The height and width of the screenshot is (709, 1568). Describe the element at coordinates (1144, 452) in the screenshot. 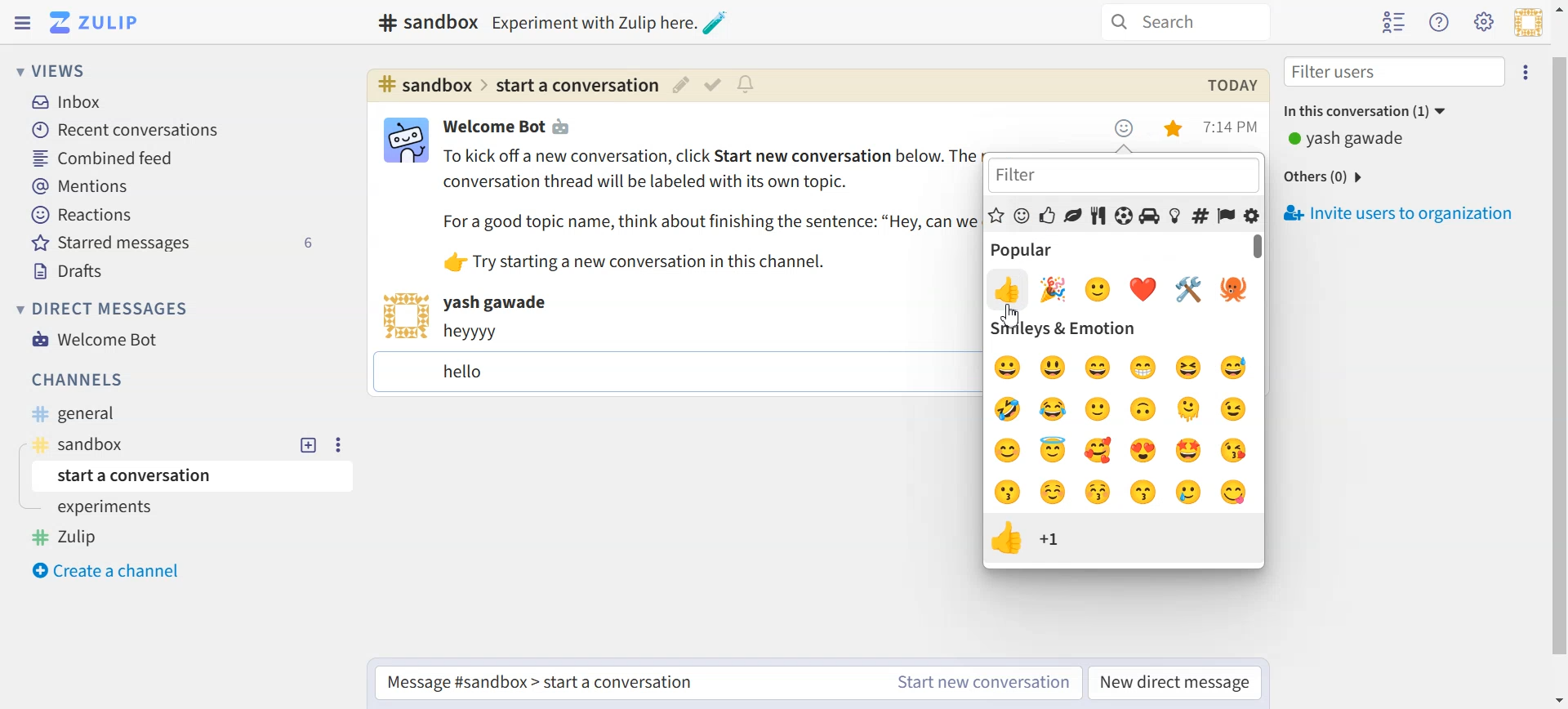

I see `heart eyes` at that location.